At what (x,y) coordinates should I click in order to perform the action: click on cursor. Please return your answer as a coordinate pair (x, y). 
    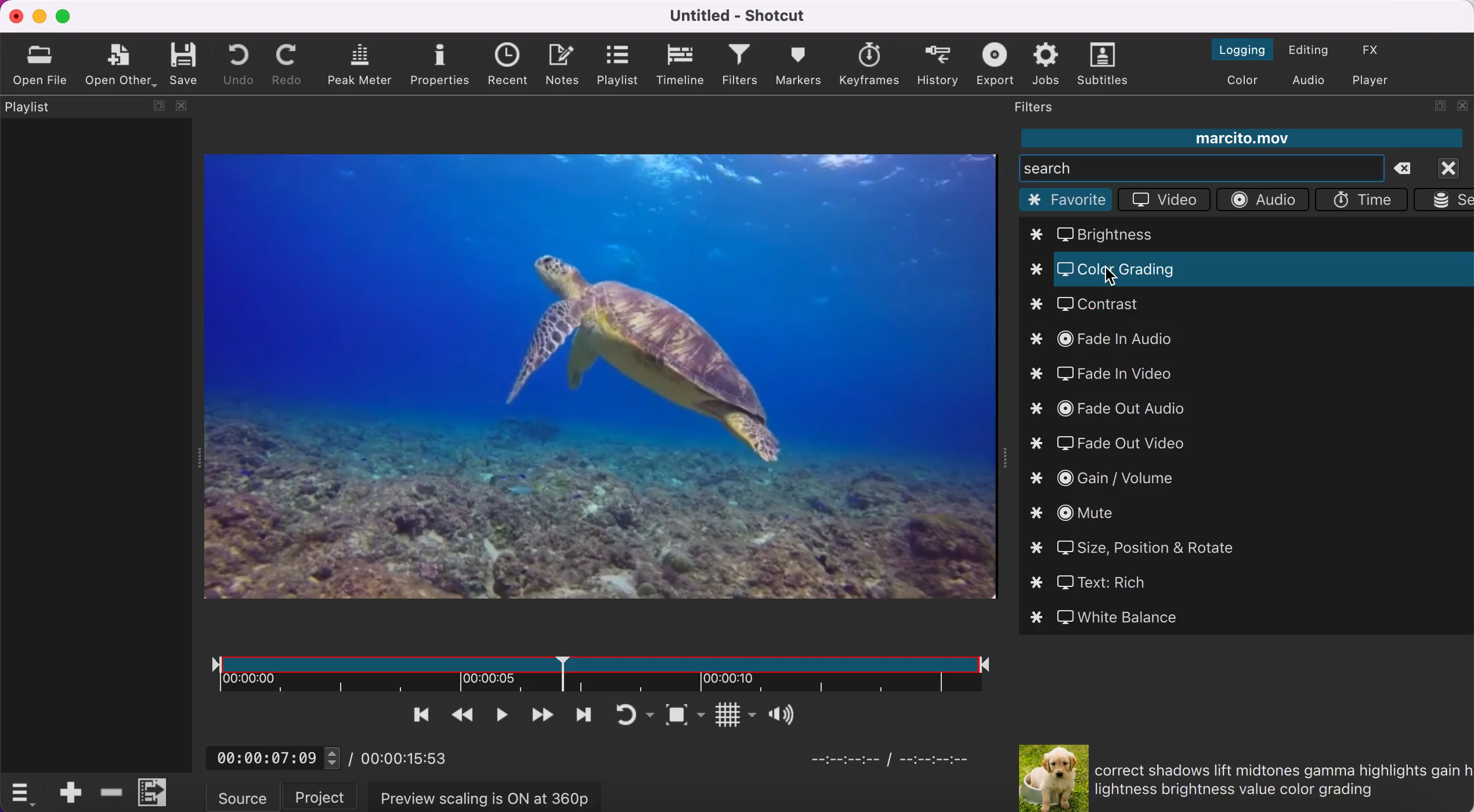
    Looking at the image, I should click on (1115, 278).